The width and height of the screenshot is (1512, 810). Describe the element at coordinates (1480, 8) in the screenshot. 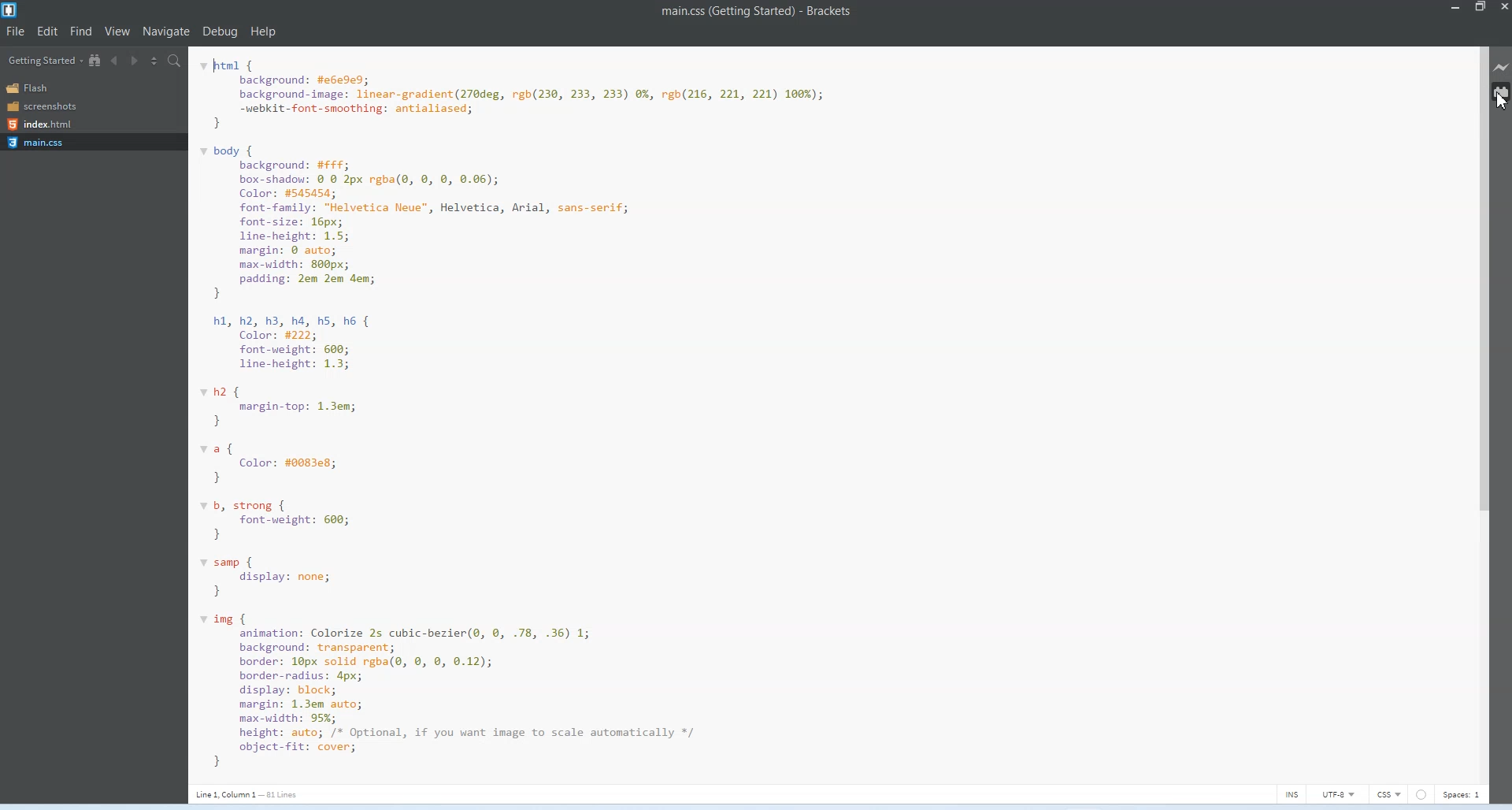

I see `Maximize` at that location.